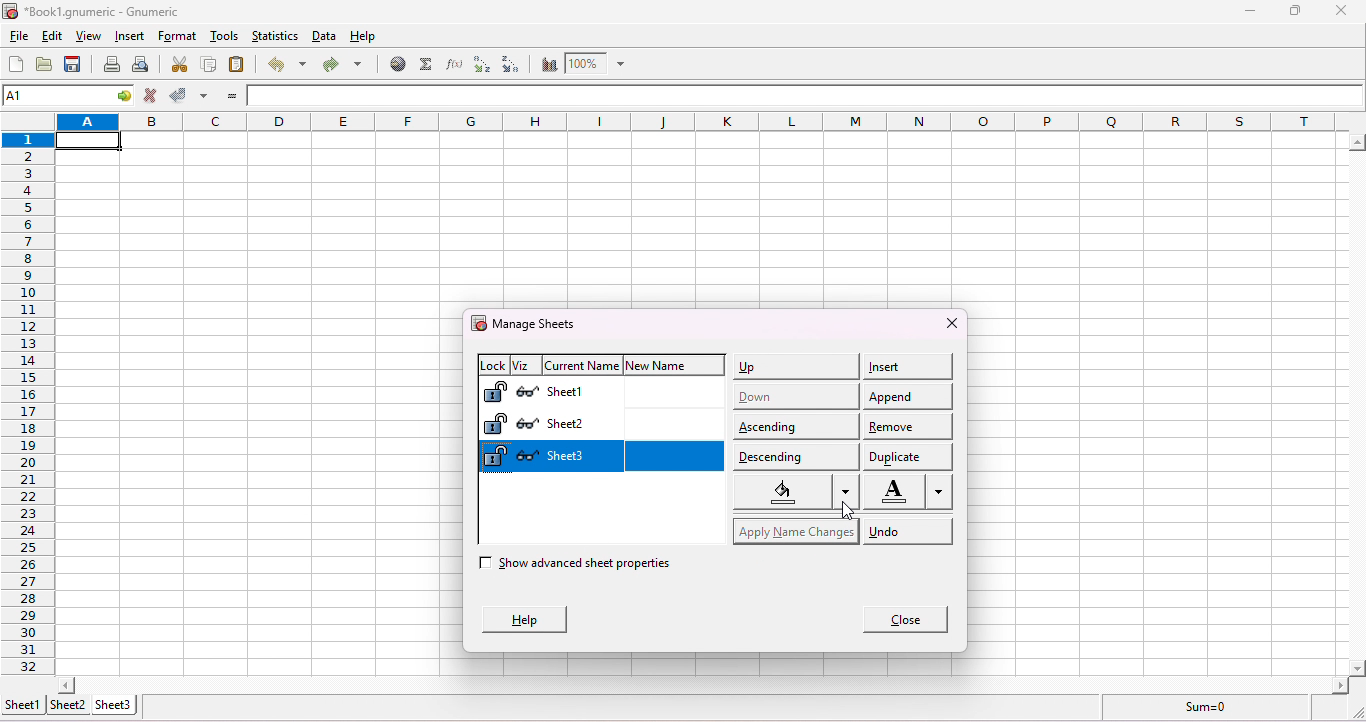 This screenshot has height=722, width=1366. I want to click on create a new workbook, so click(15, 64).